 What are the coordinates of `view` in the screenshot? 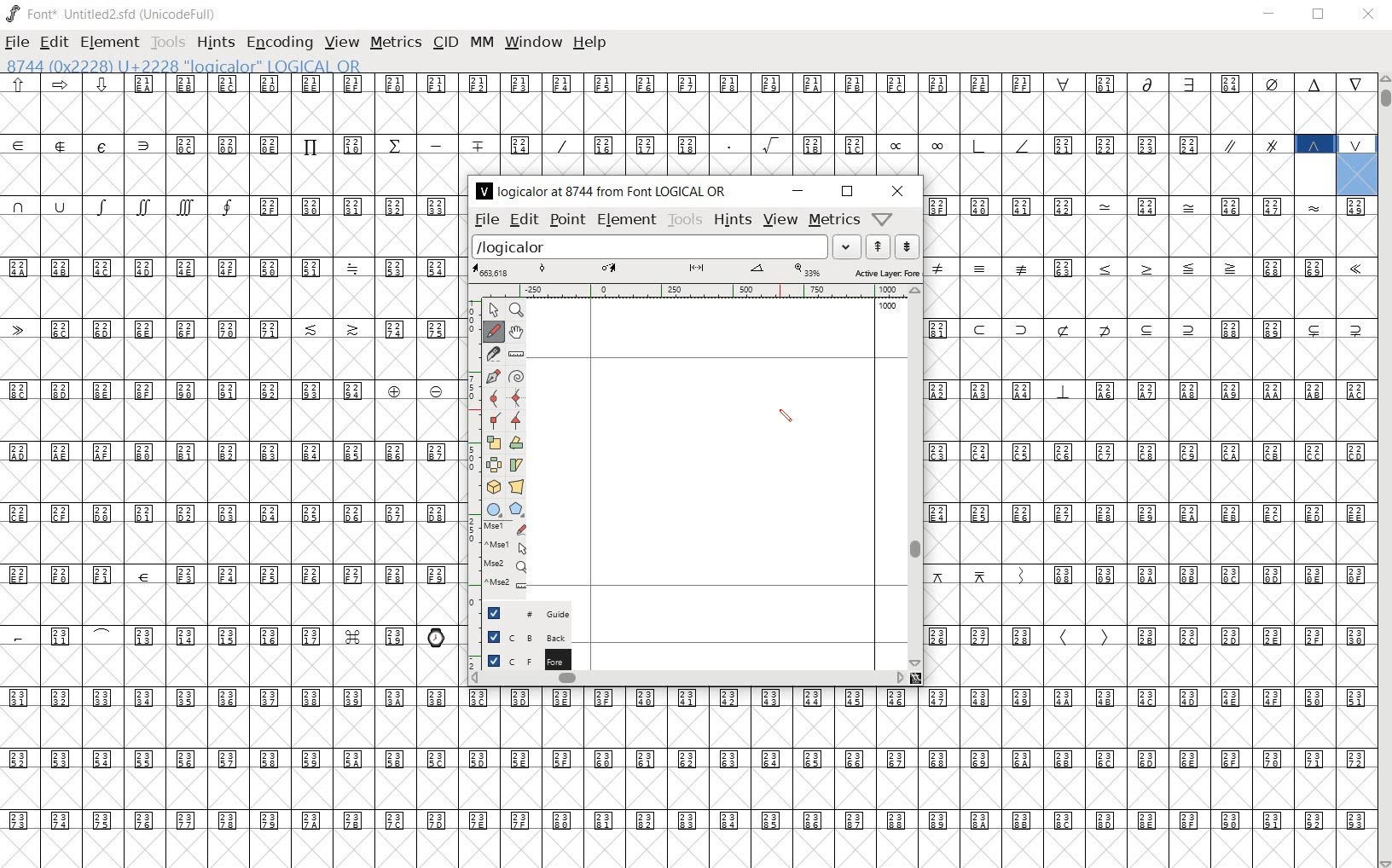 It's located at (780, 220).